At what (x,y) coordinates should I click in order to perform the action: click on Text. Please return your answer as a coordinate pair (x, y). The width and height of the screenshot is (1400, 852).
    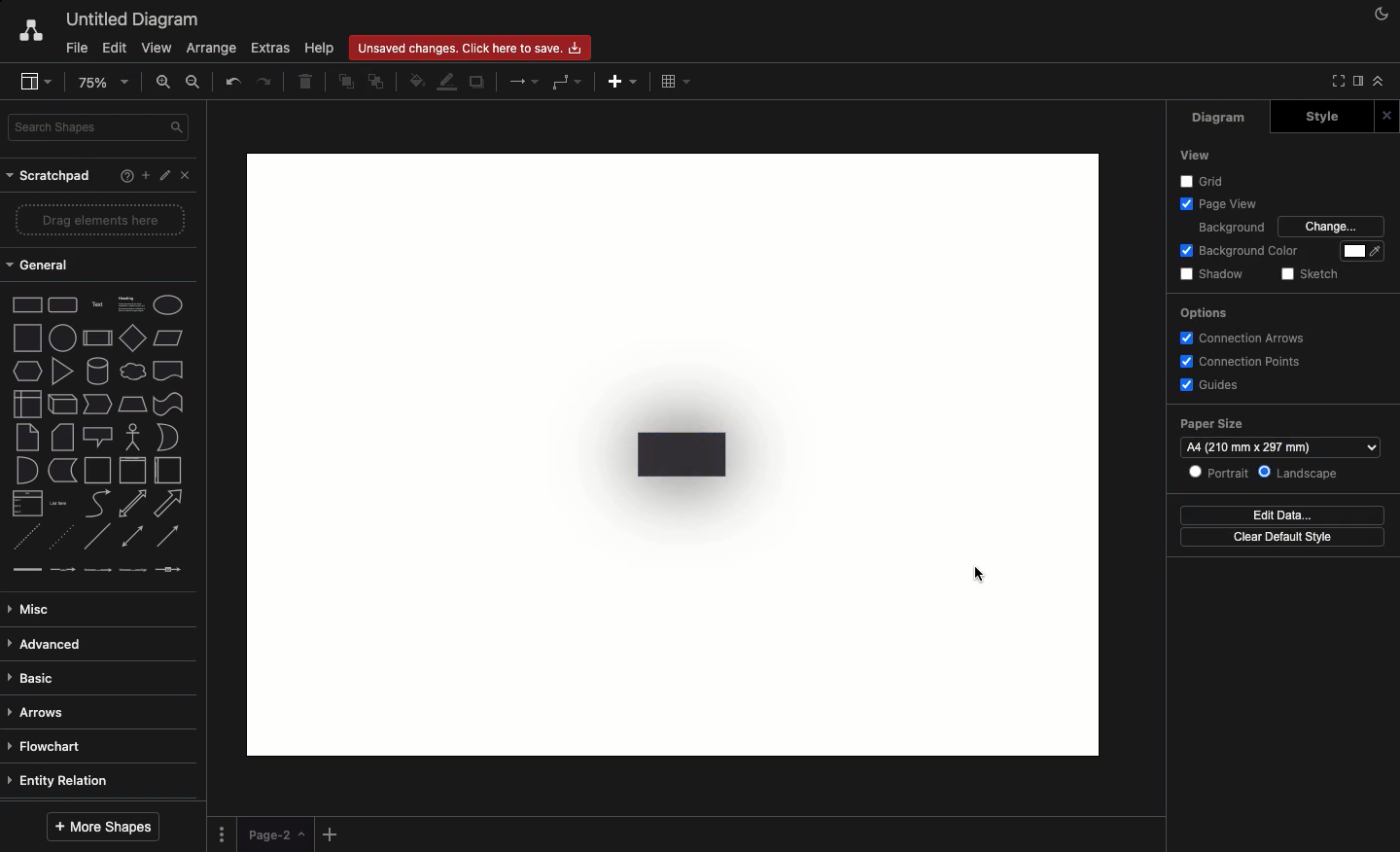
    Looking at the image, I should click on (98, 305).